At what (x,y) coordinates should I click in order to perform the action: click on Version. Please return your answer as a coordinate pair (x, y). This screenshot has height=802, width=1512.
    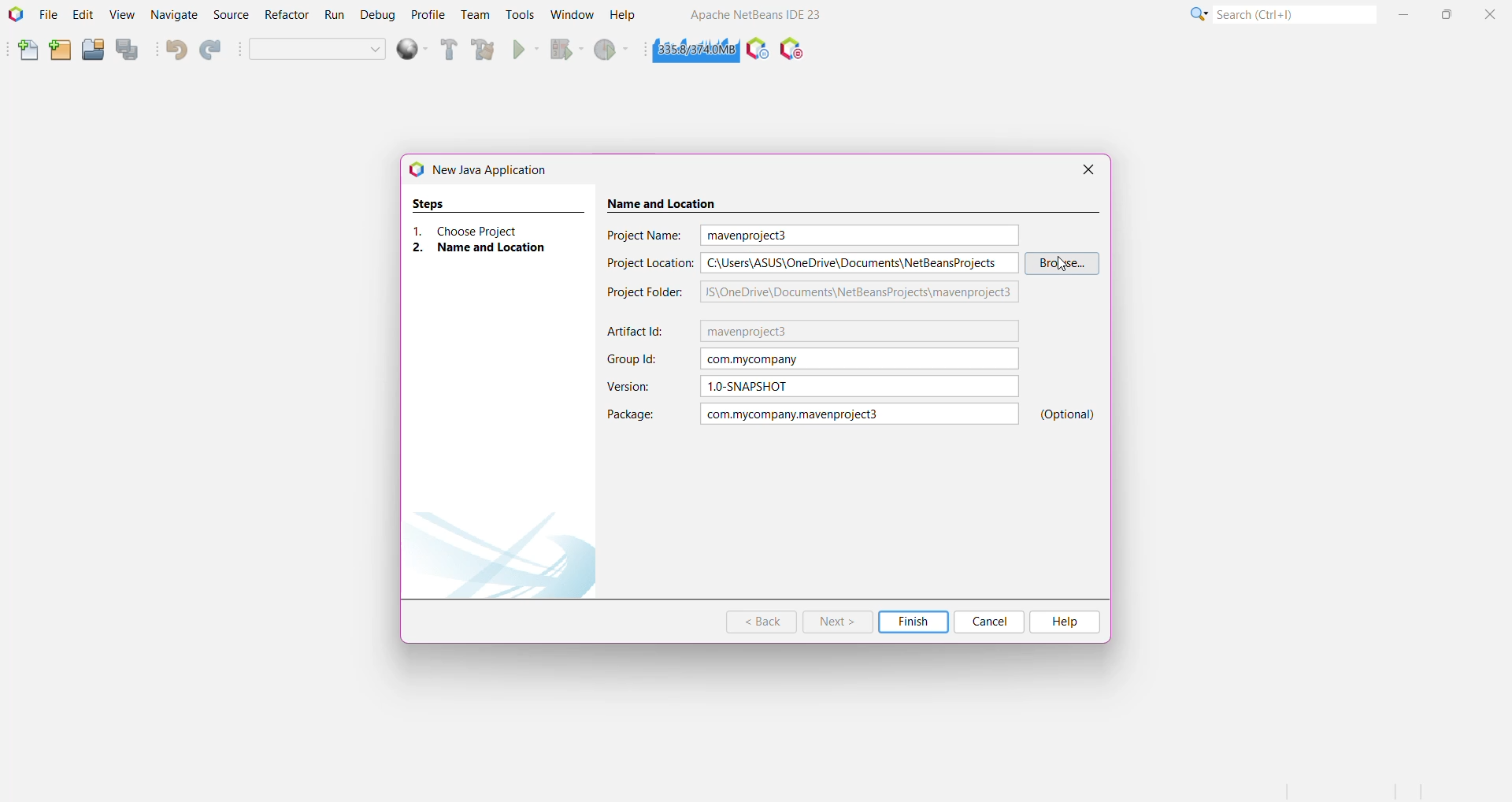
    Looking at the image, I should click on (632, 387).